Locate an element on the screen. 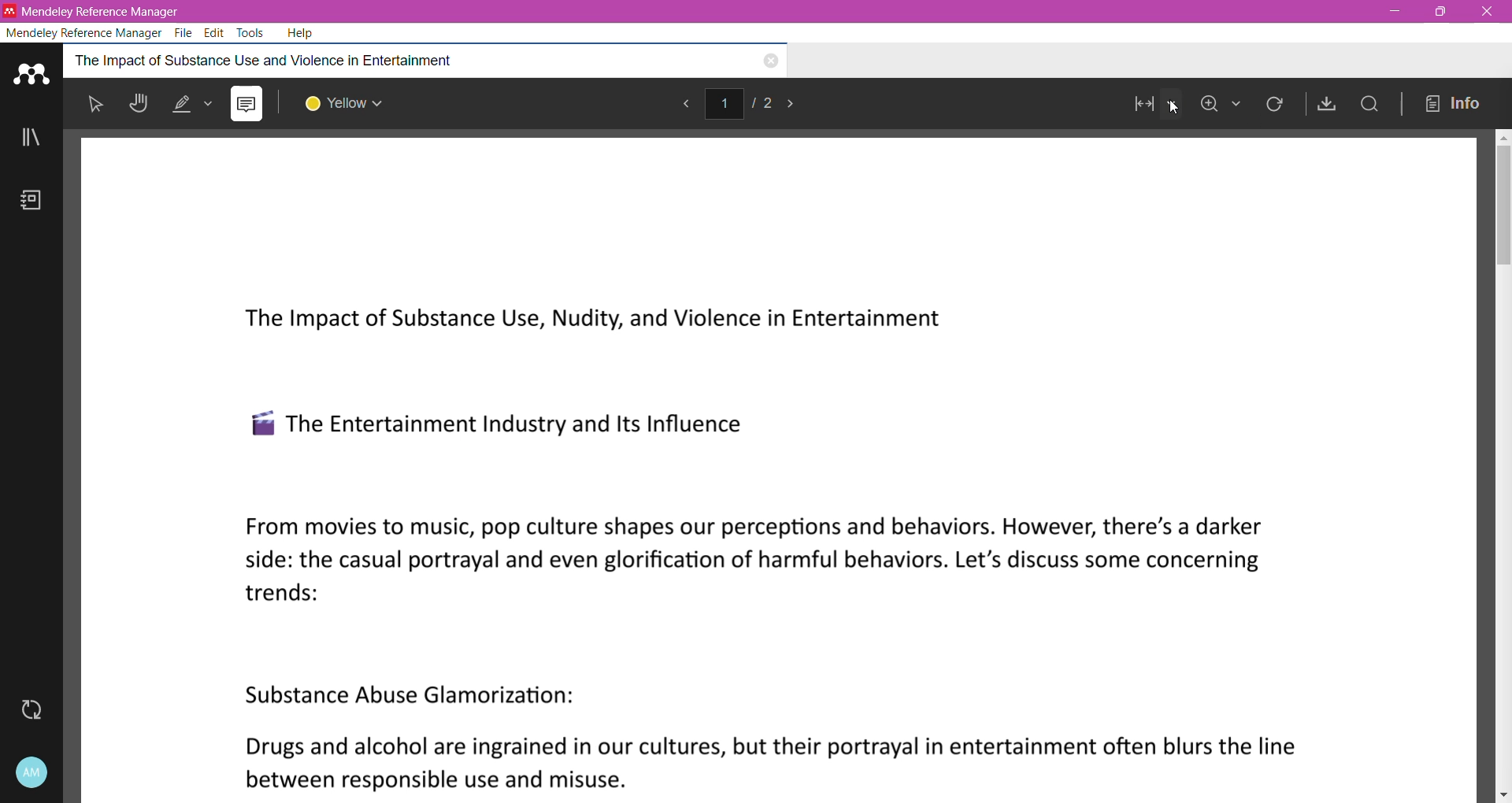  Close the Document is located at coordinates (770, 62).